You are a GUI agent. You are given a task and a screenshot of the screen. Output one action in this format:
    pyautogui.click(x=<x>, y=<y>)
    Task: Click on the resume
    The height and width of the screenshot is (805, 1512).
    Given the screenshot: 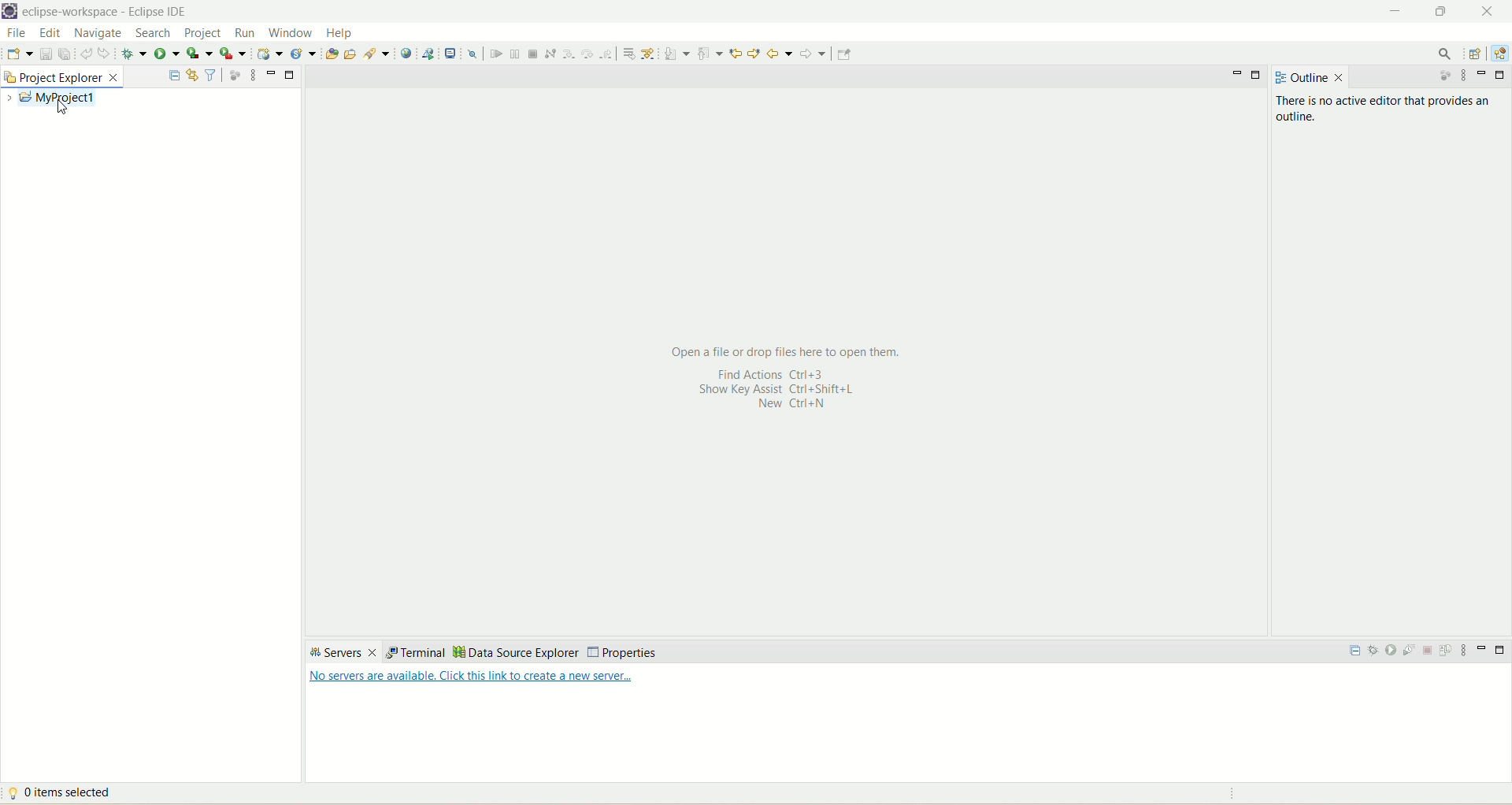 What is the action you would take?
    pyautogui.click(x=496, y=54)
    